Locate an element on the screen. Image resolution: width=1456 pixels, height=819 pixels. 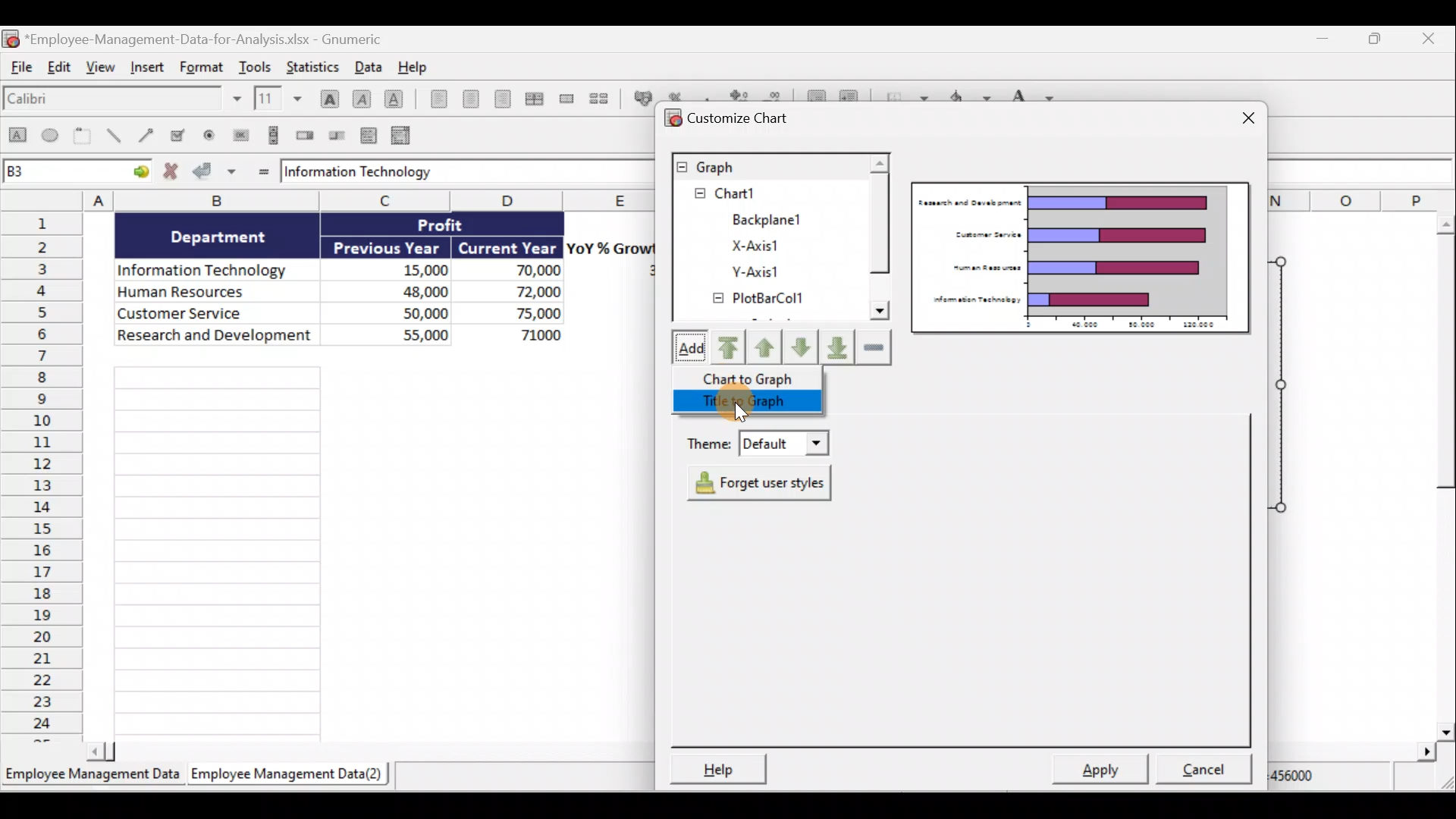
Close is located at coordinates (1432, 39).